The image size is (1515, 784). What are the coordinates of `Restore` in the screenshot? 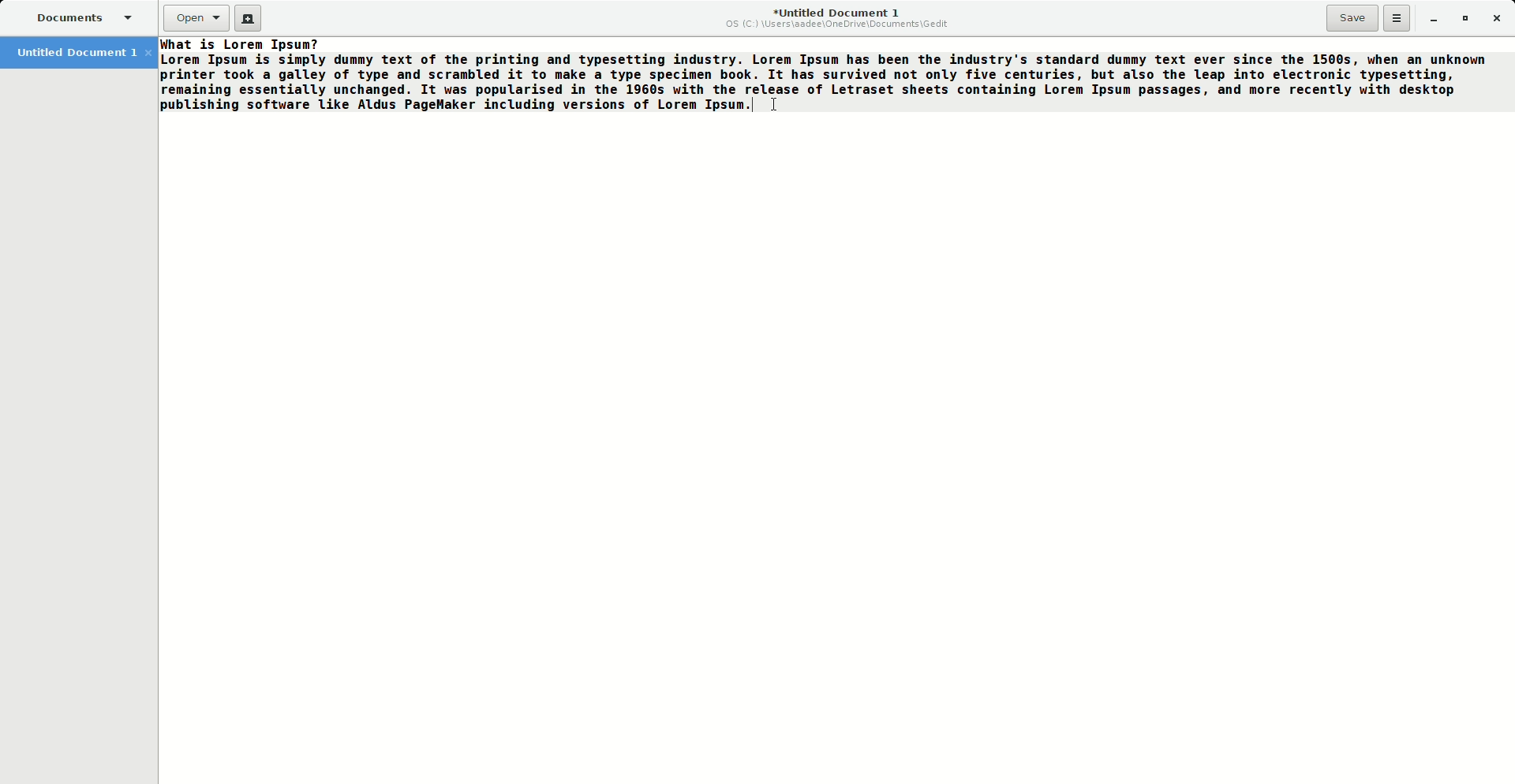 It's located at (1463, 17).